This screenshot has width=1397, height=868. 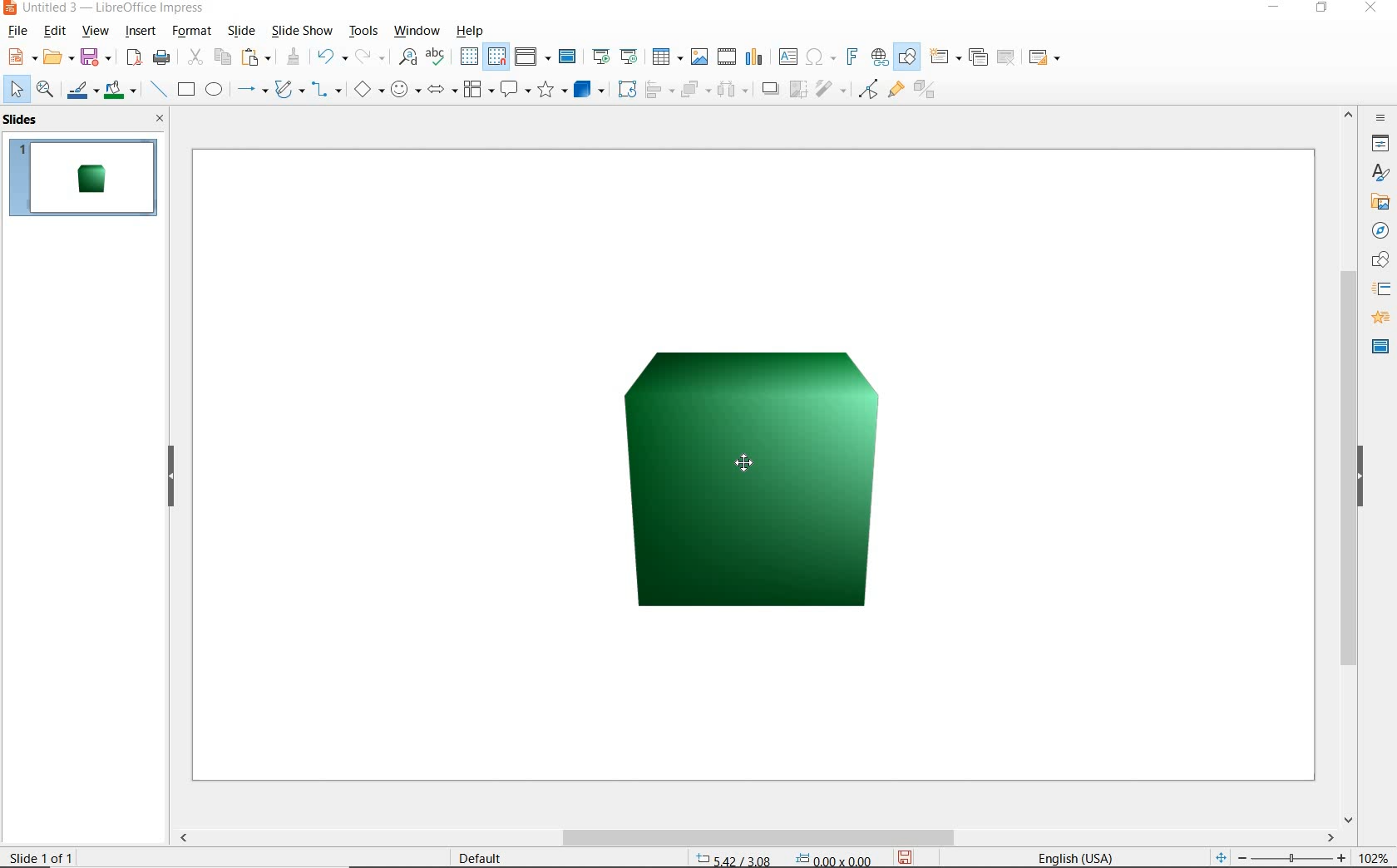 What do you see at coordinates (1381, 320) in the screenshot?
I see `ANIMATION` at bounding box center [1381, 320].